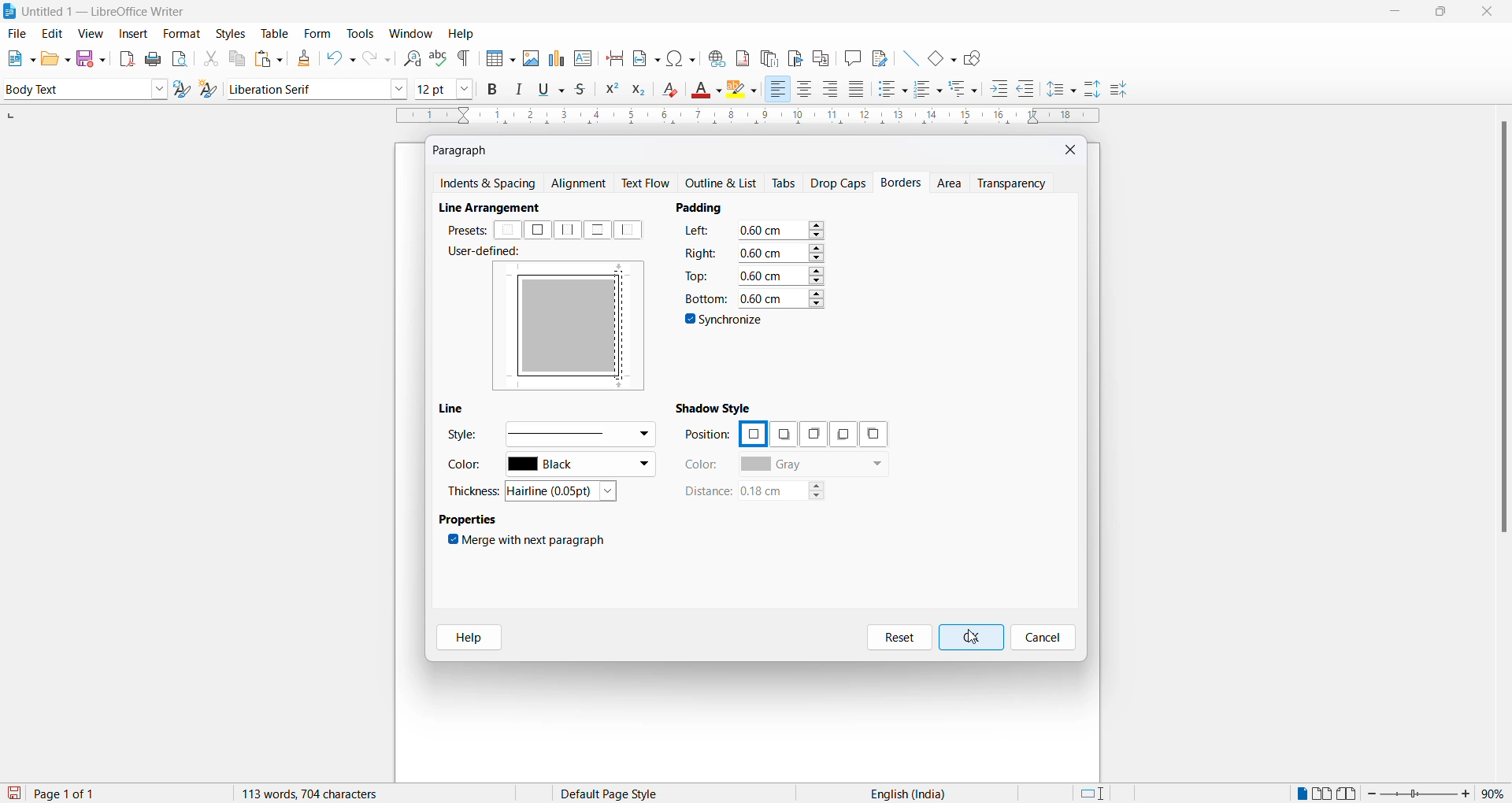 The image size is (1512, 803). I want to click on open, so click(55, 58).